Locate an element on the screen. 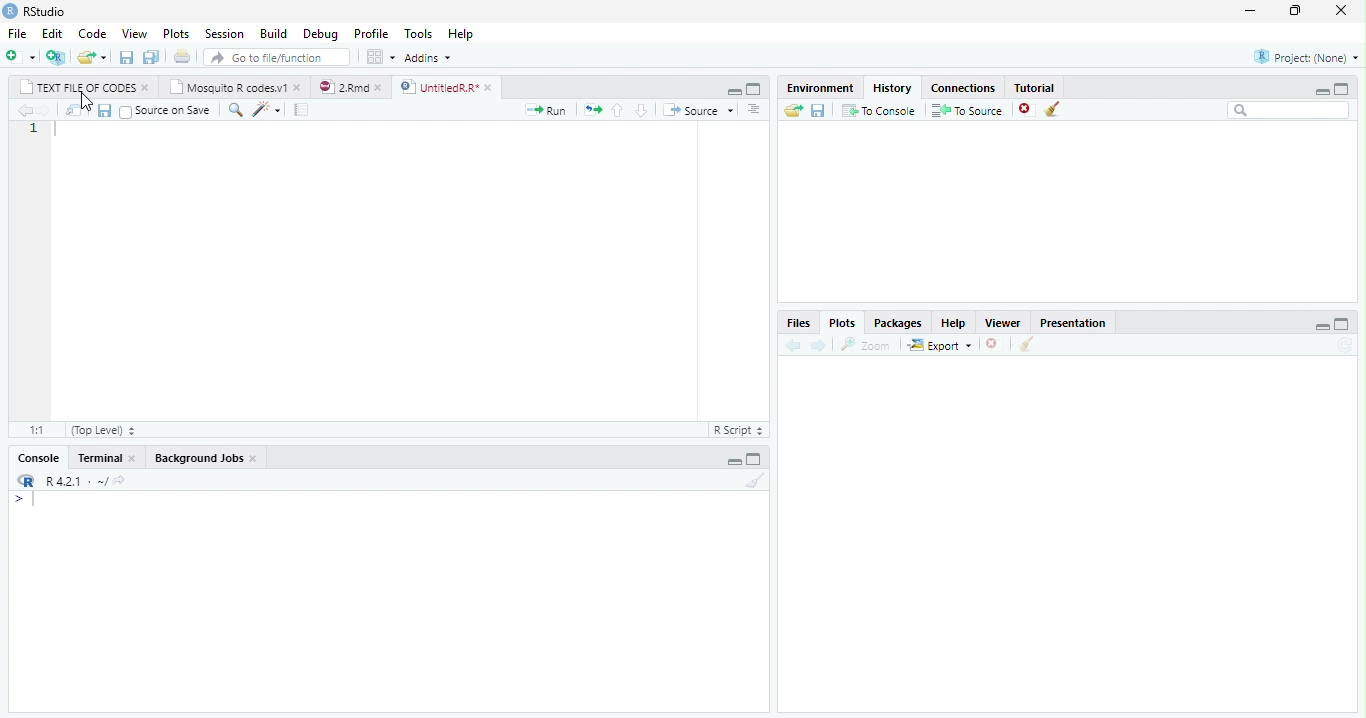 The width and height of the screenshot is (1366, 718). print current file is located at coordinates (185, 57).